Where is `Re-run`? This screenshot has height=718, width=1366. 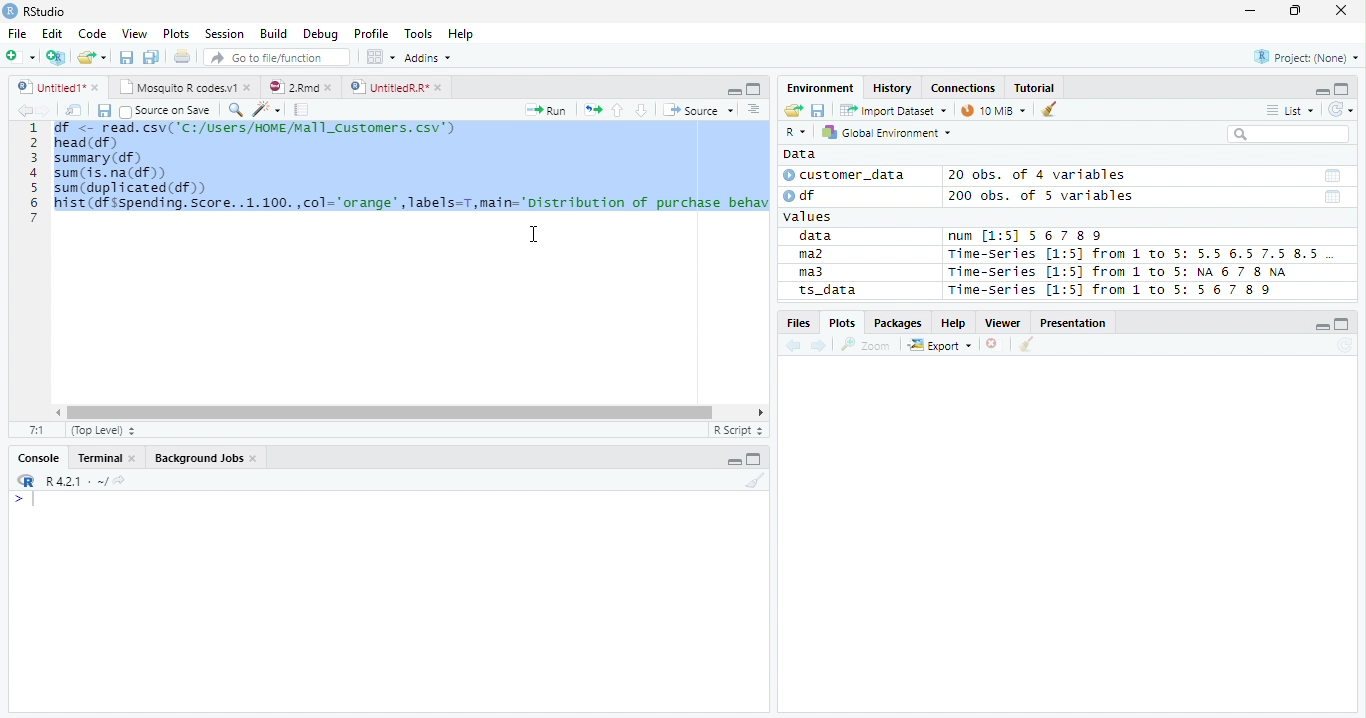
Re-run is located at coordinates (592, 111).